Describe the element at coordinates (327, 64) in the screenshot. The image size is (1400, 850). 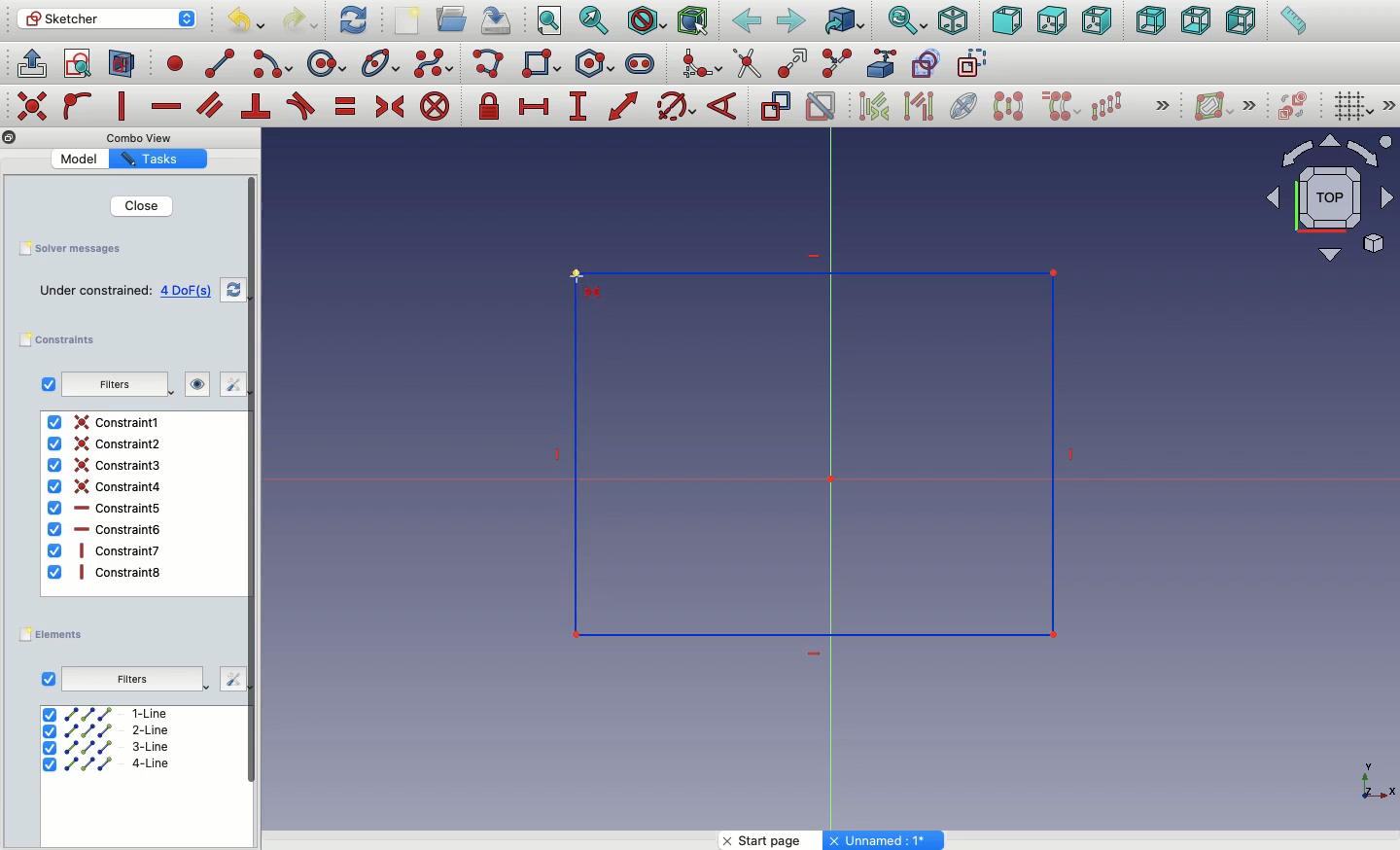
I see `circle` at that location.